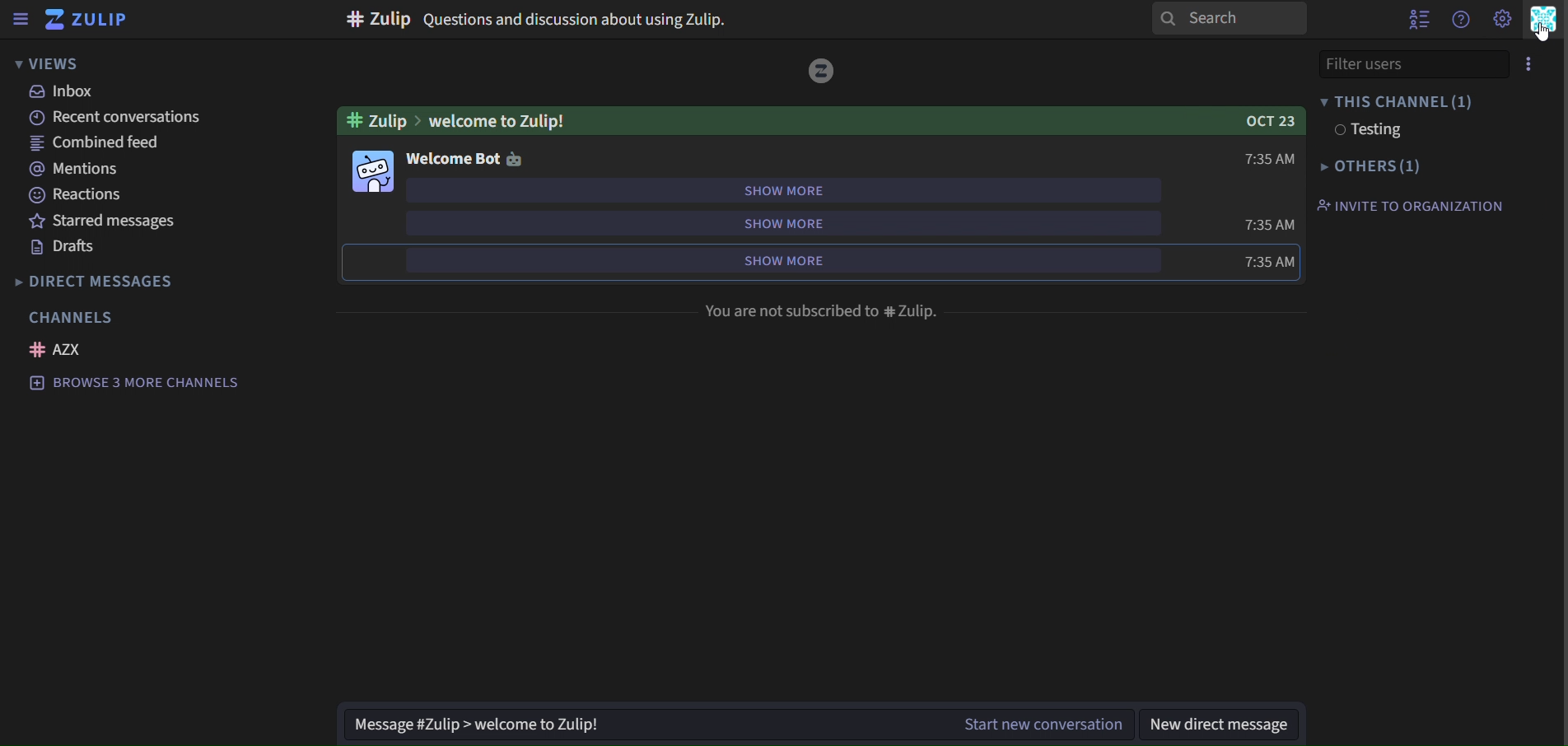  What do you see at coordinates (1397, 102) in the screenshot?
I see `this channel (1)` at bounding box center [1397, 102].